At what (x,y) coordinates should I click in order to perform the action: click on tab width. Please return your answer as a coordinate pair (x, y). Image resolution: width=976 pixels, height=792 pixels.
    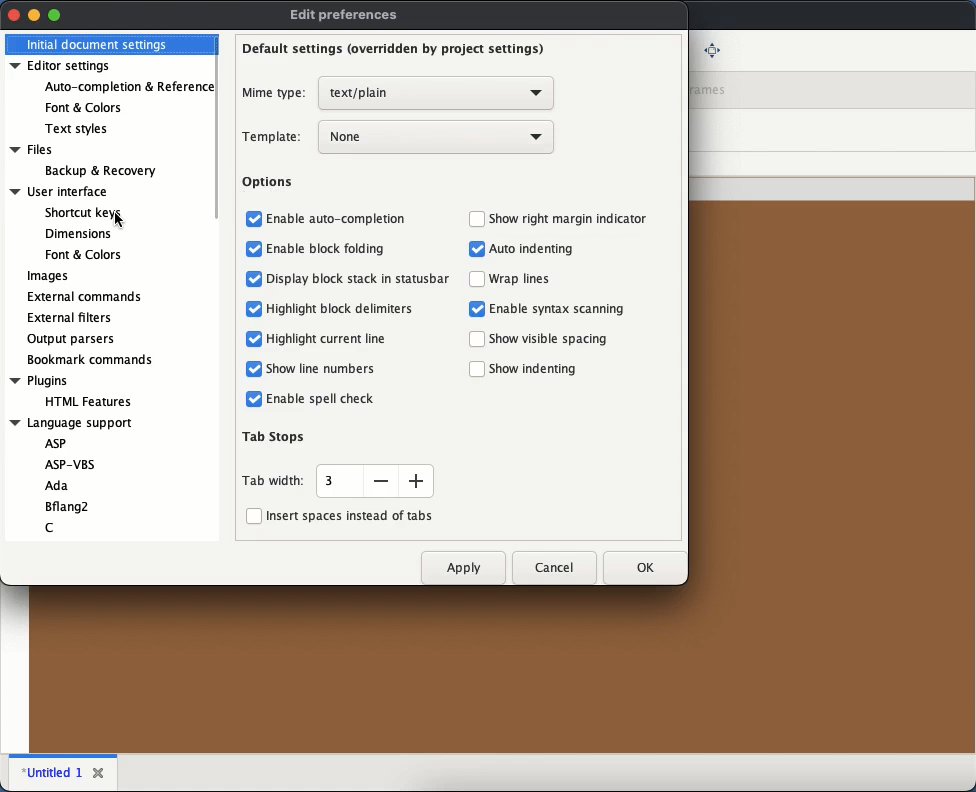
    Looking at the image, I should click on (272, 483).